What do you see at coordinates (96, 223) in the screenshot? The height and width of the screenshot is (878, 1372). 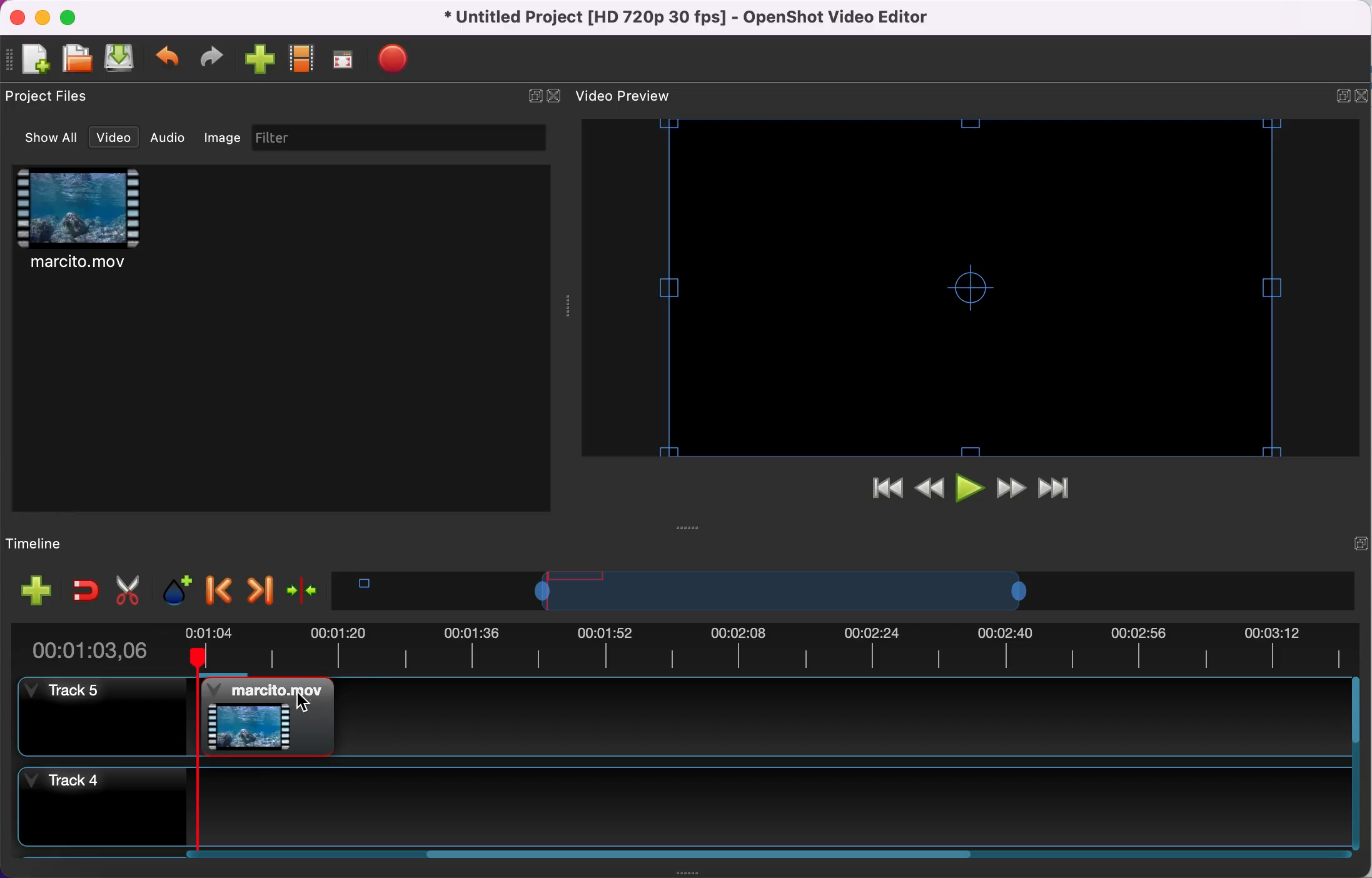 I see `clip` at bounding box center [96, 223].